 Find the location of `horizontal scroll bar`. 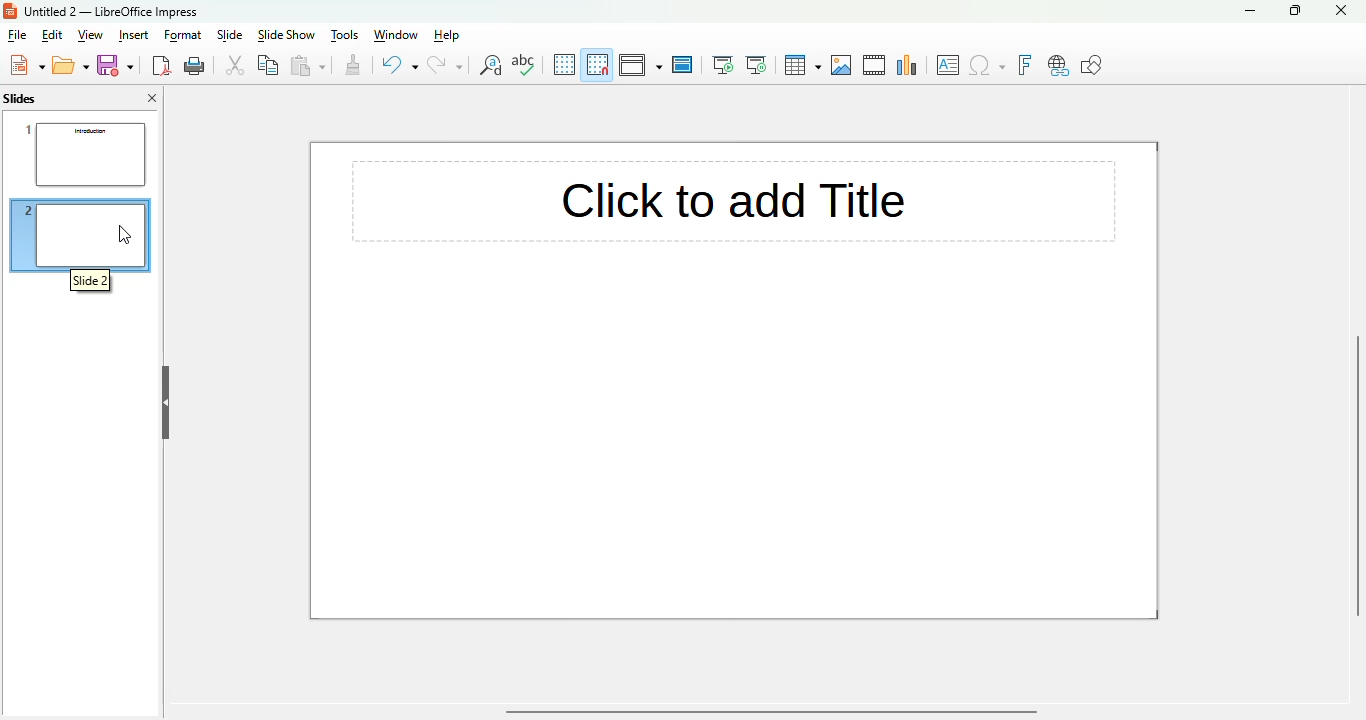

horizontal scroll bar is located at coordinates (771, 712).